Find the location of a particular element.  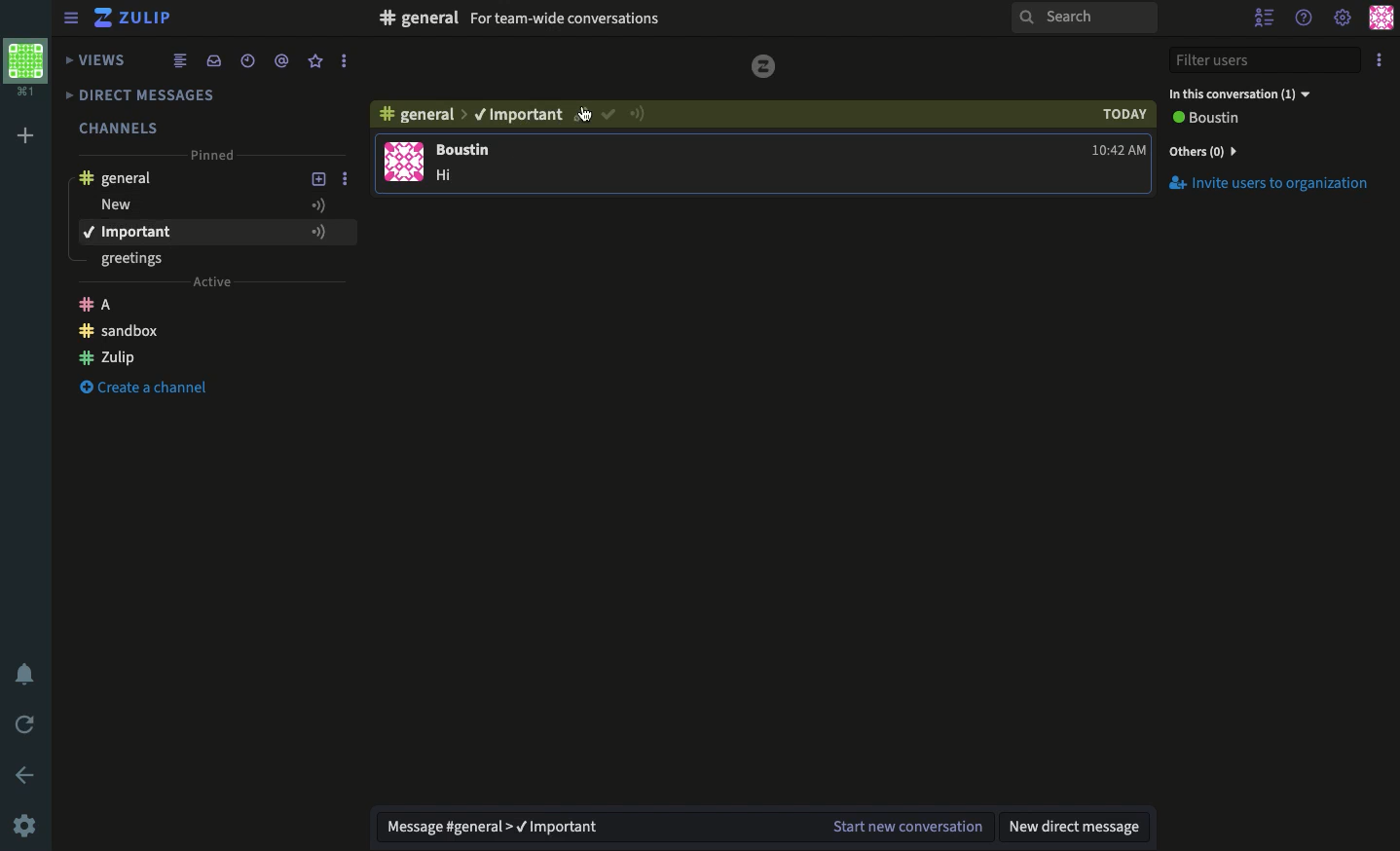

Workspace profile is located at coordinates (30, 68).